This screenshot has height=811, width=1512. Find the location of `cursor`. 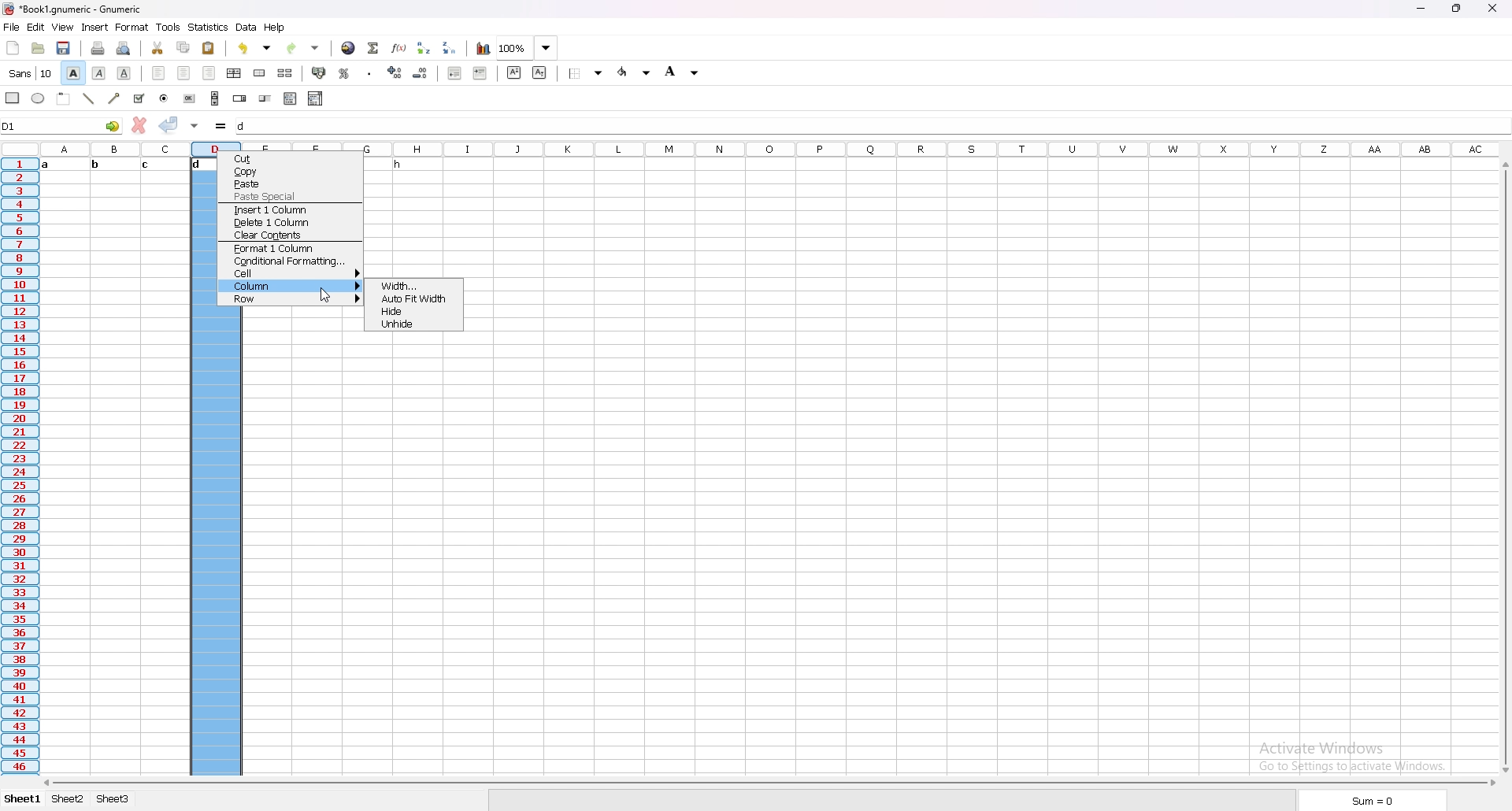

cursor is located at coordinates (324, 294).